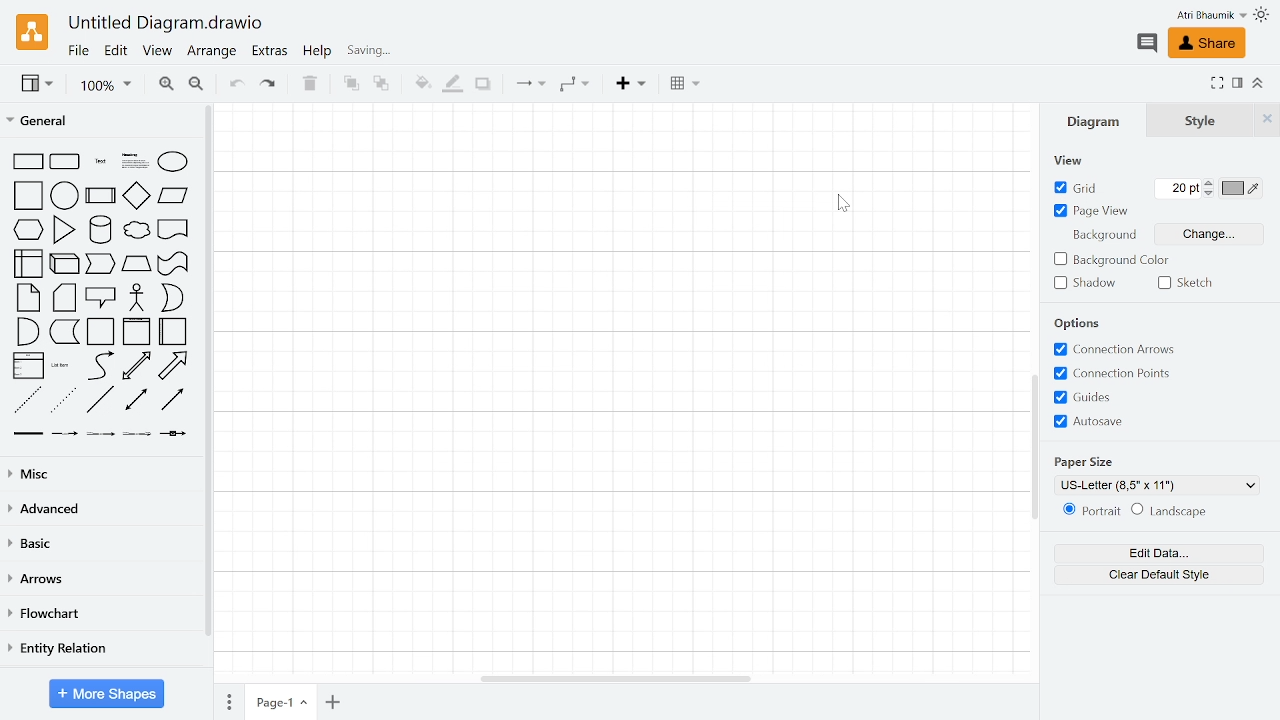 The width and height of the screenshot is (1280, 720). What do you see at coordinates (484, 85) in the screenshot?
I see `Shadow` at bounding box center [484, 85].